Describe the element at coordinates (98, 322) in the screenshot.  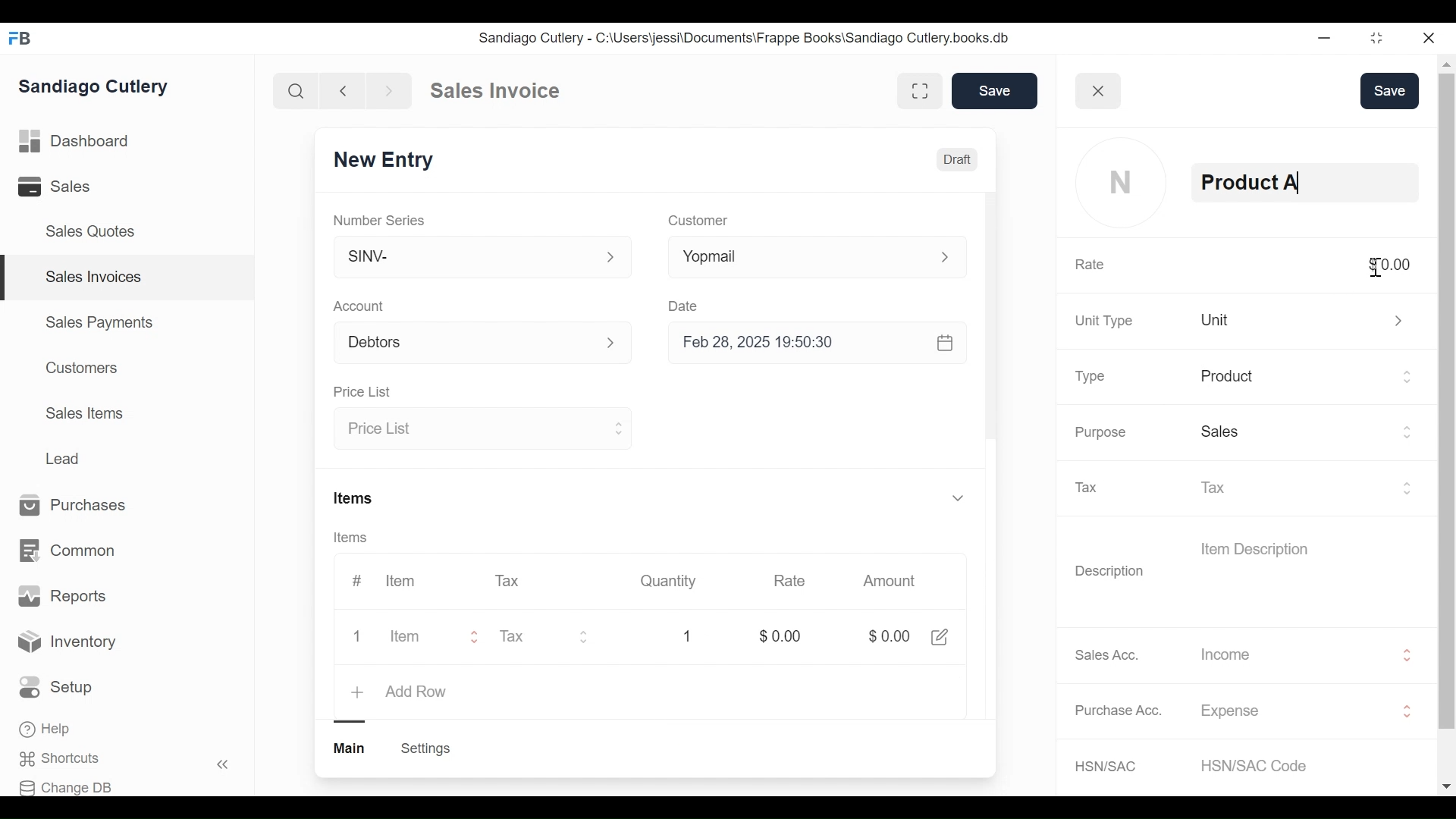
I see `Sales Payments` at that location.